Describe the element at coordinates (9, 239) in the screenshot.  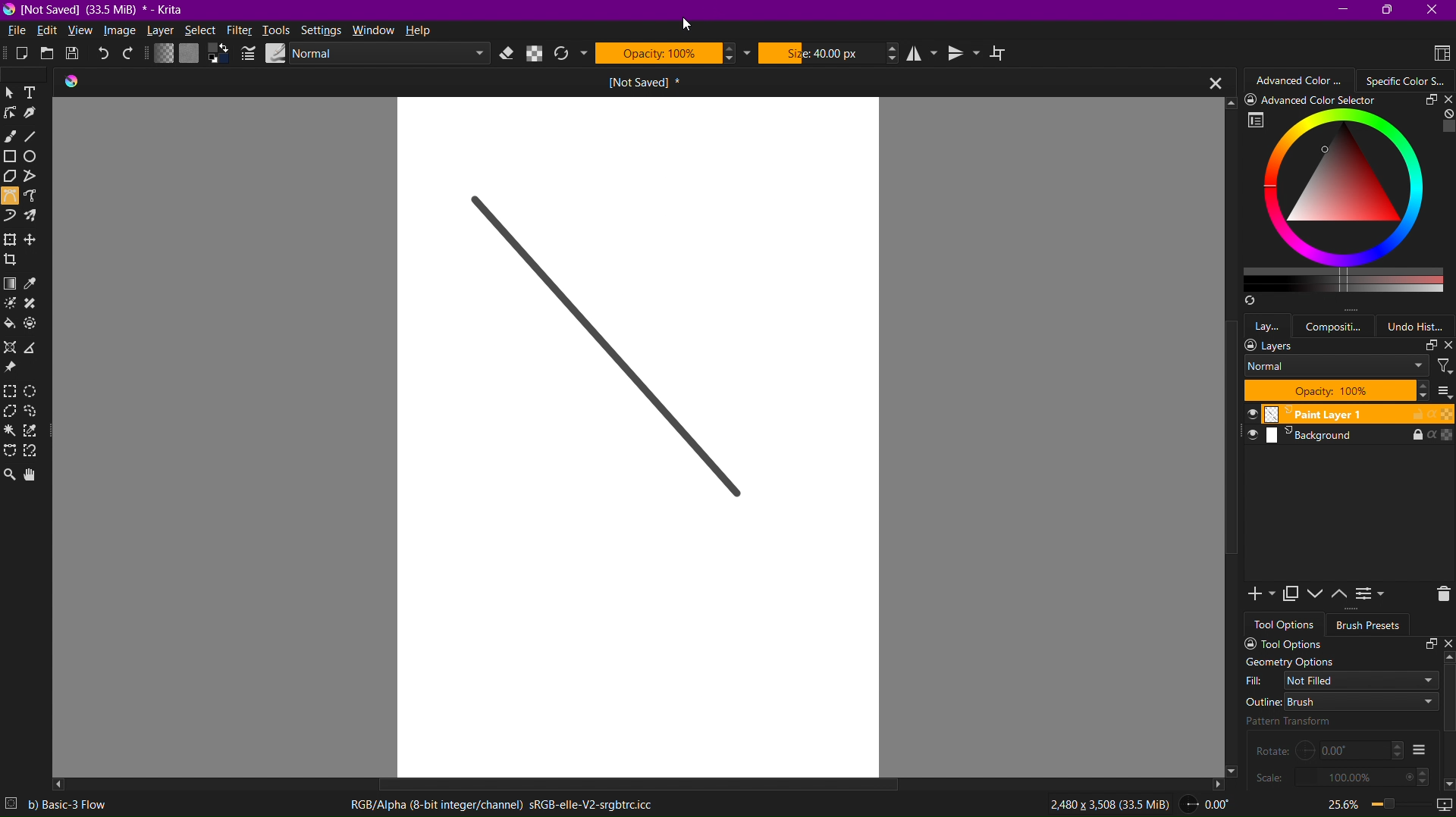
I see `Transform a layer or selection` at that location.